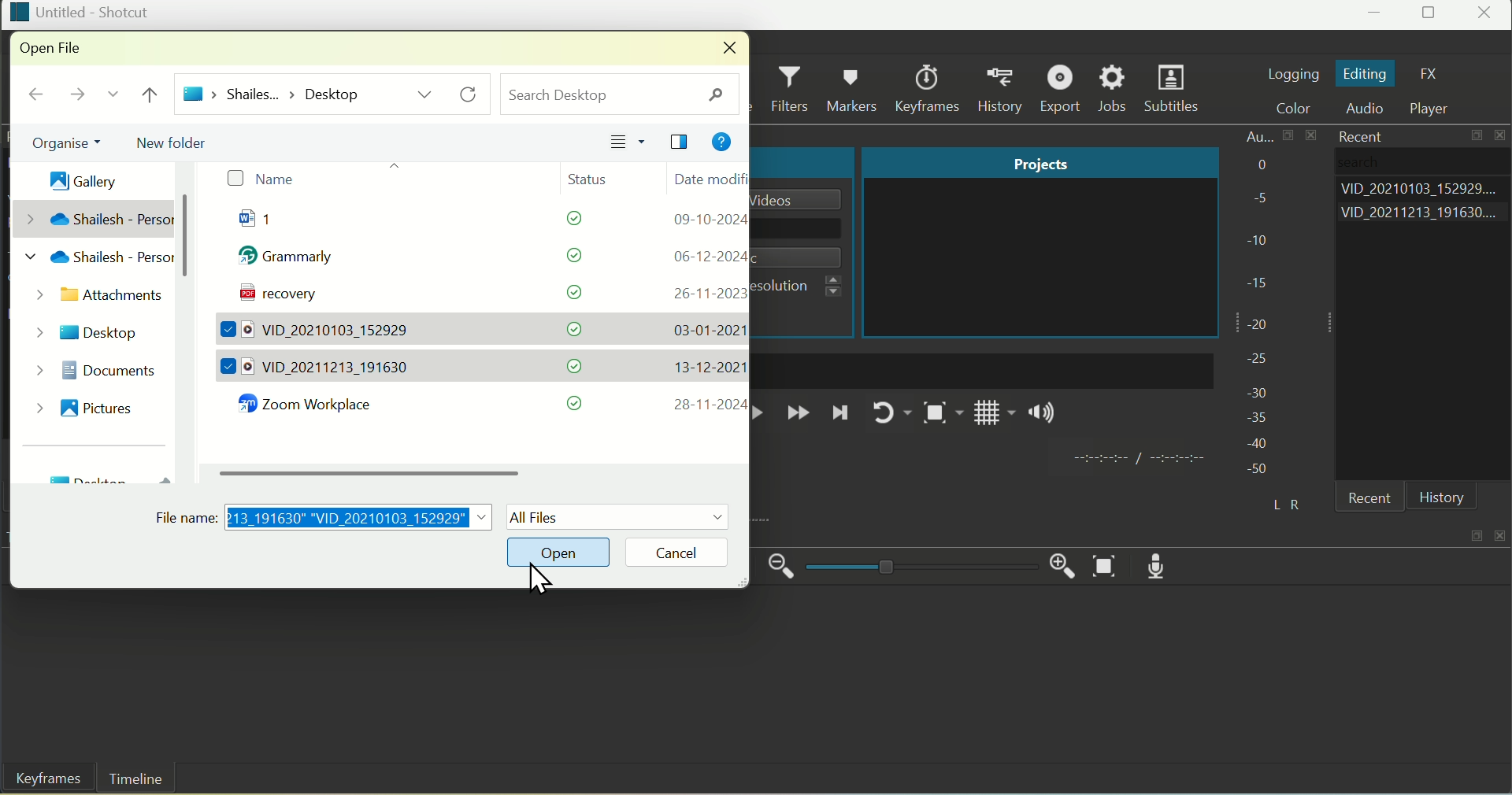 The image size is (1512, 795). I want to click on Zoom Workplace, so click(314, 406).